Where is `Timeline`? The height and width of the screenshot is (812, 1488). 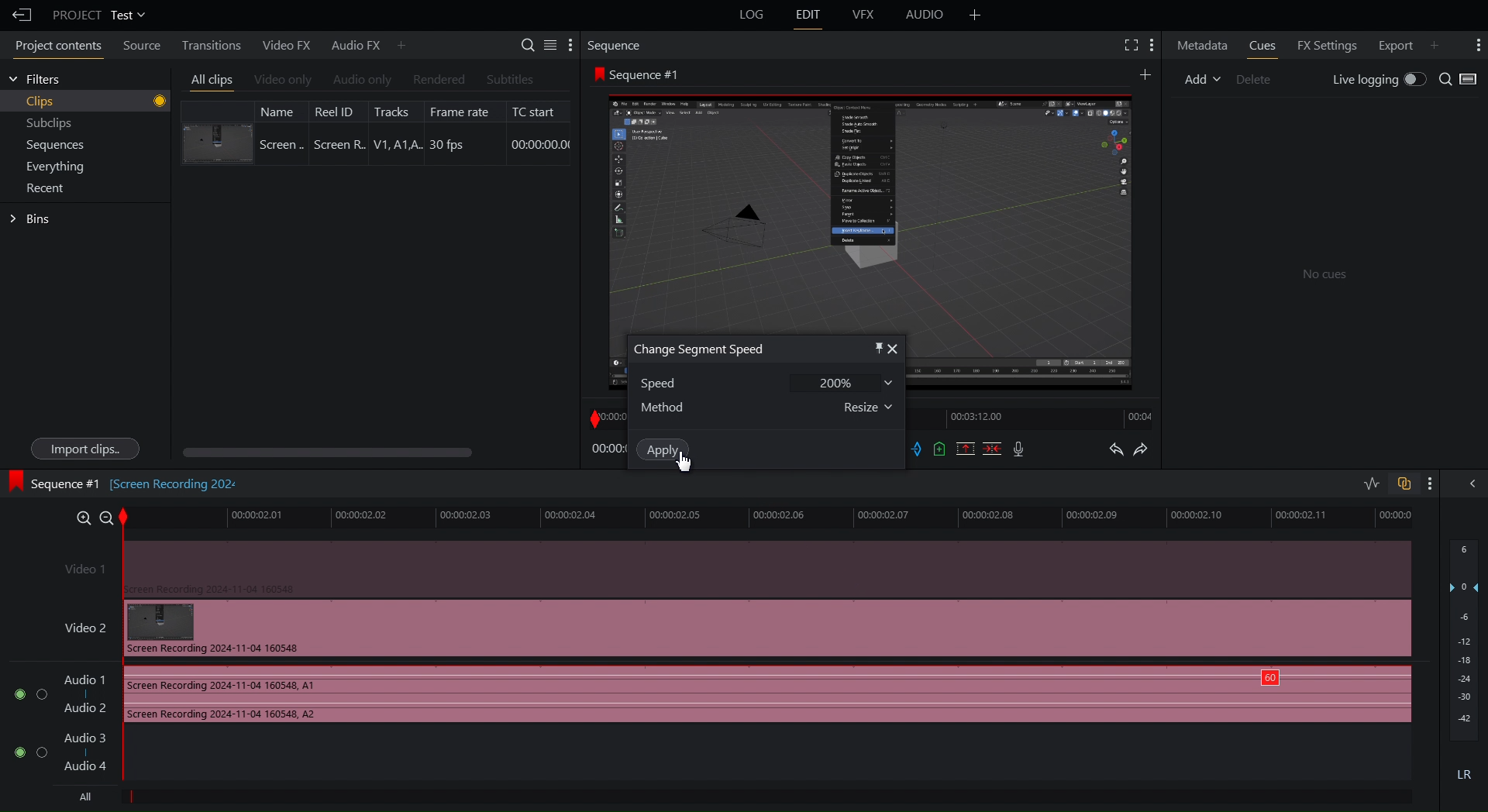 Timeline is located at coordinates (1037, 419).